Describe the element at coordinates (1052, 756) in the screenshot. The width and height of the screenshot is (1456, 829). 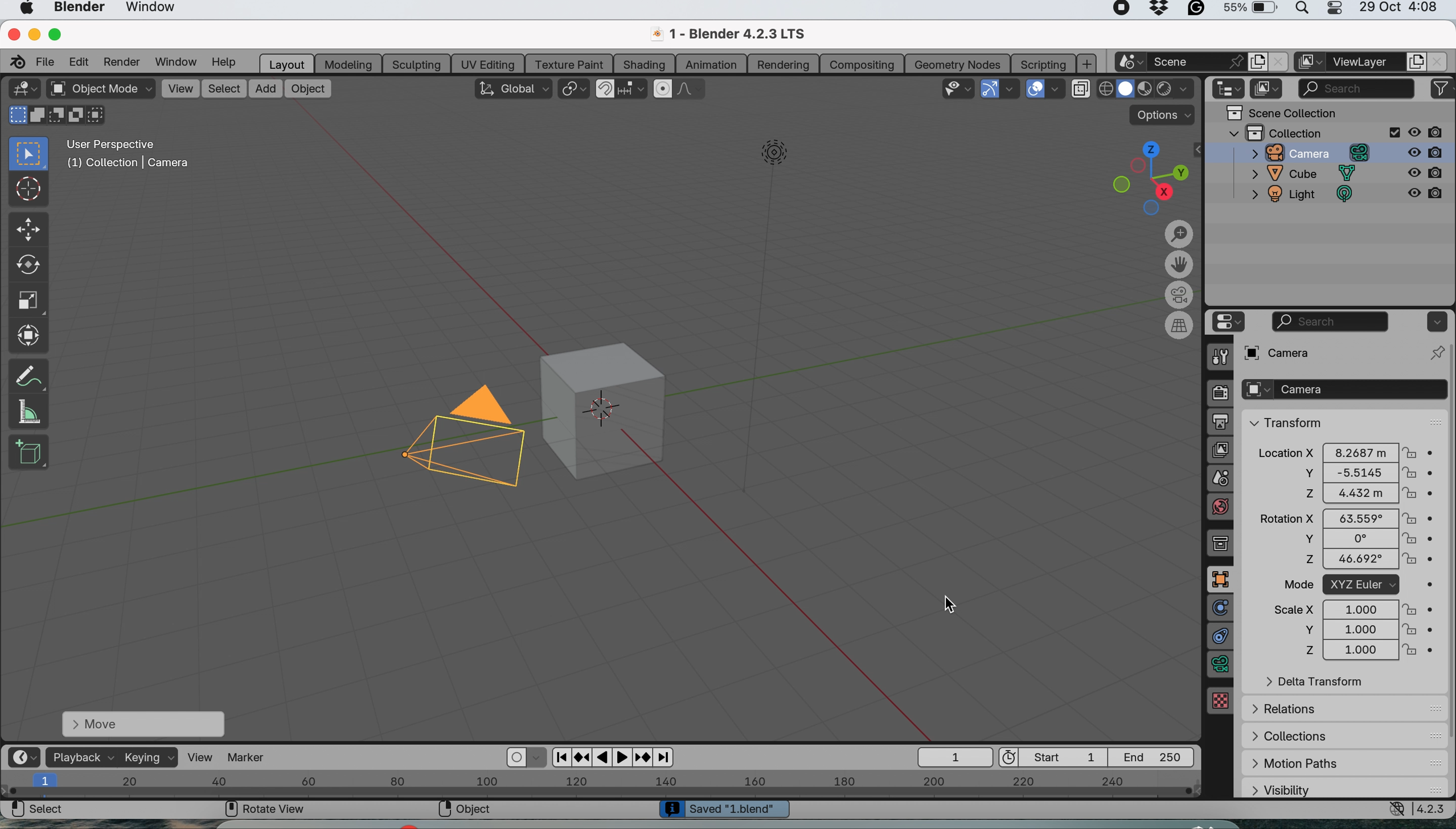
I see `start 1` at that location.